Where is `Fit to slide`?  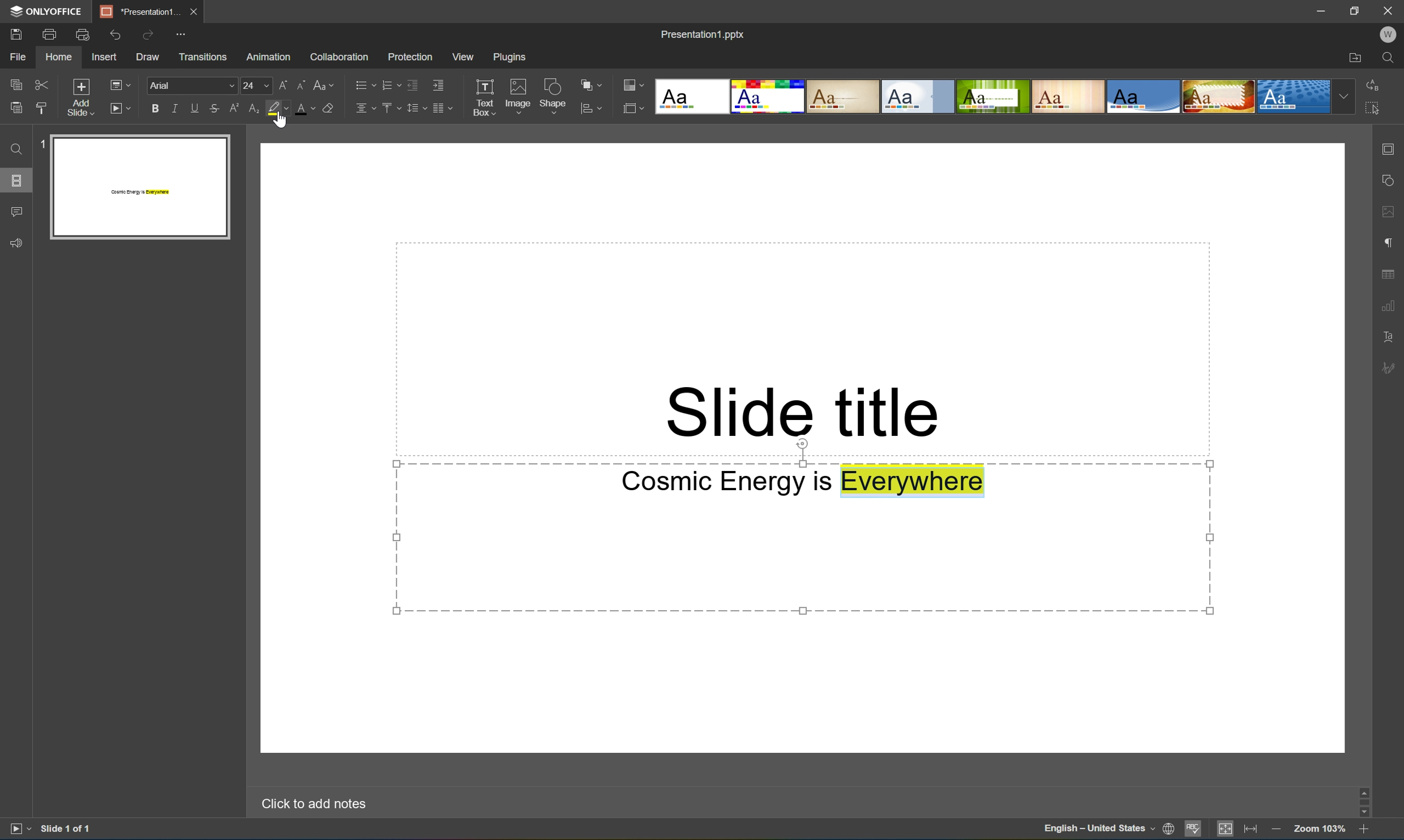
Fit to slide is located at coordinates (1225, 830).